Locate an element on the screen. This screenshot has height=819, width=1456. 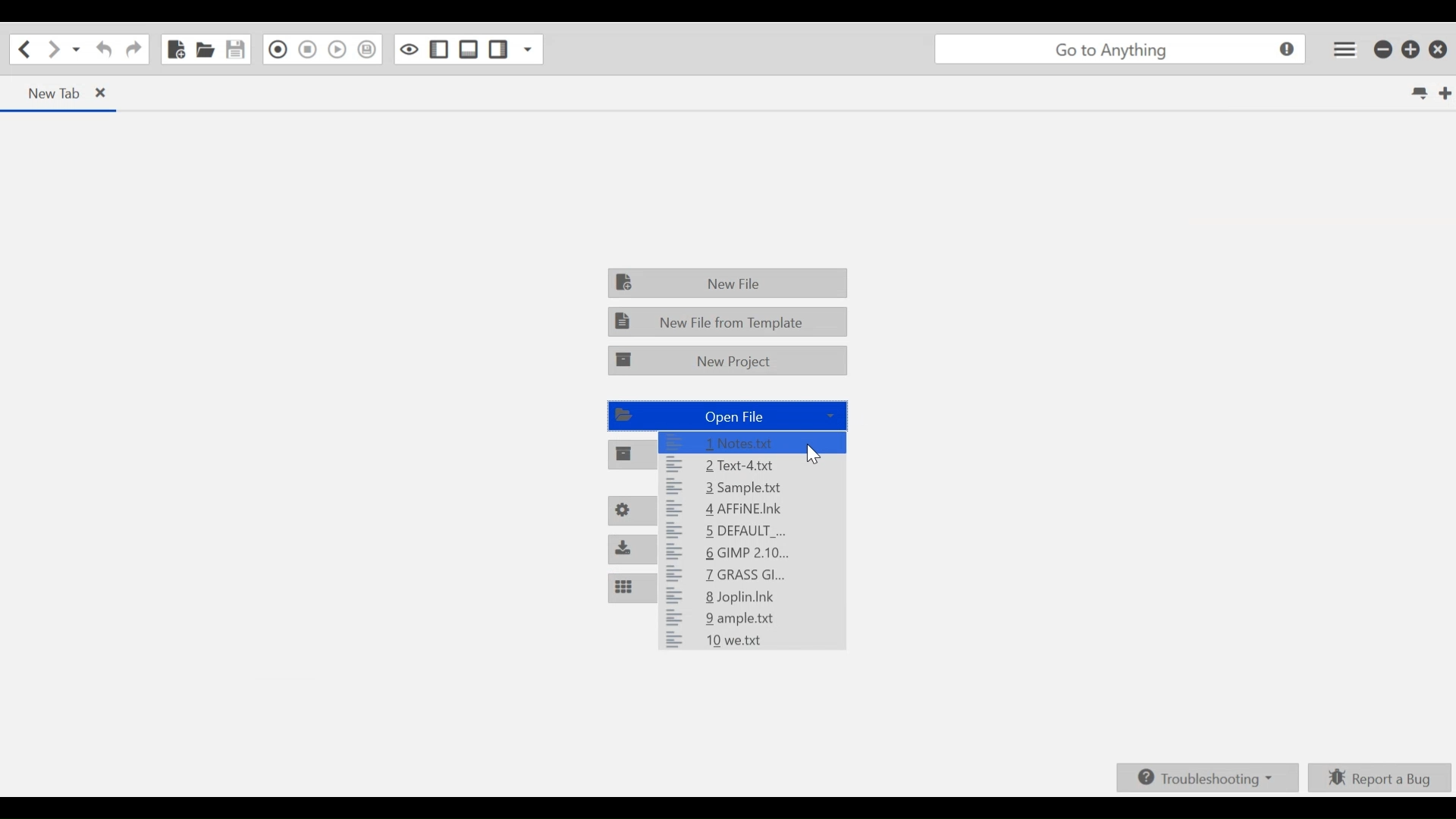
Play last Macro is located at coordinates (336, 50).